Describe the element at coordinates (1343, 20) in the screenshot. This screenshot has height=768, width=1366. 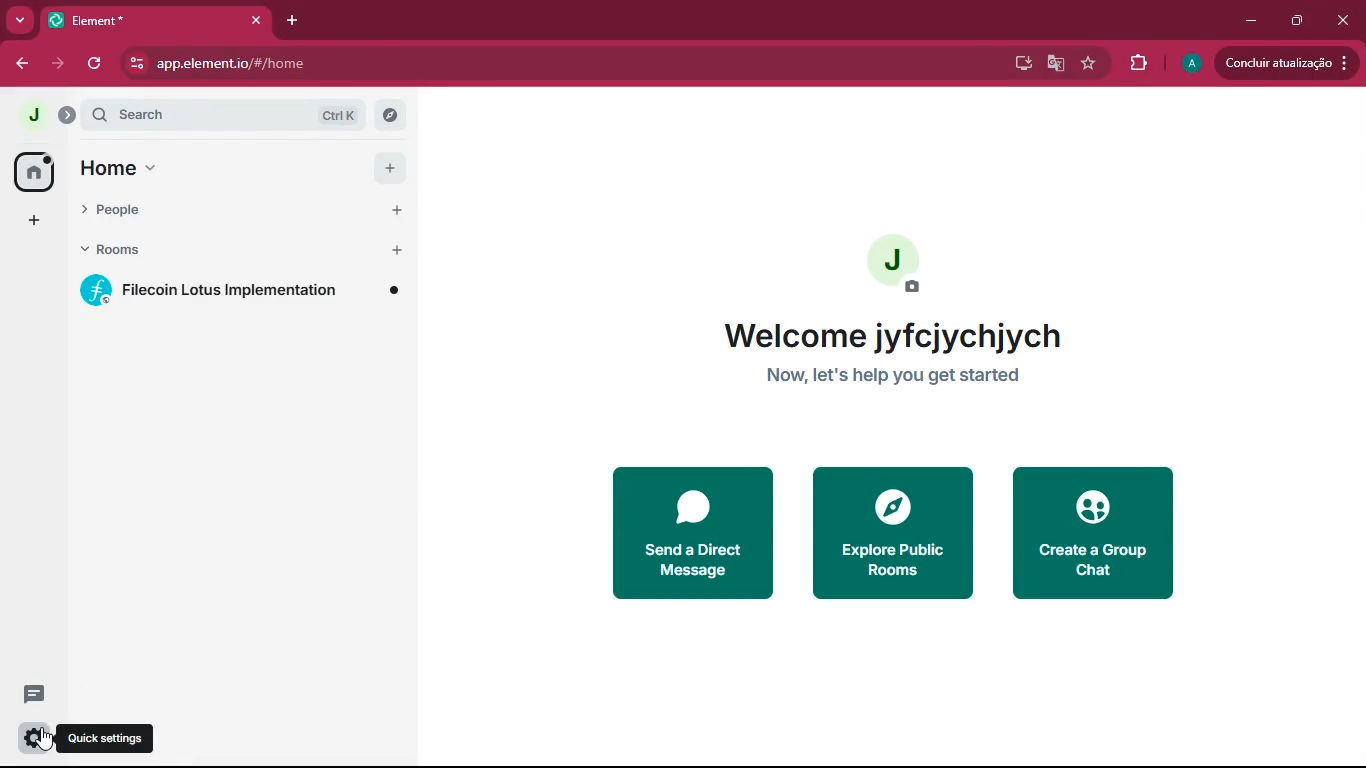
I see `close` at that location.